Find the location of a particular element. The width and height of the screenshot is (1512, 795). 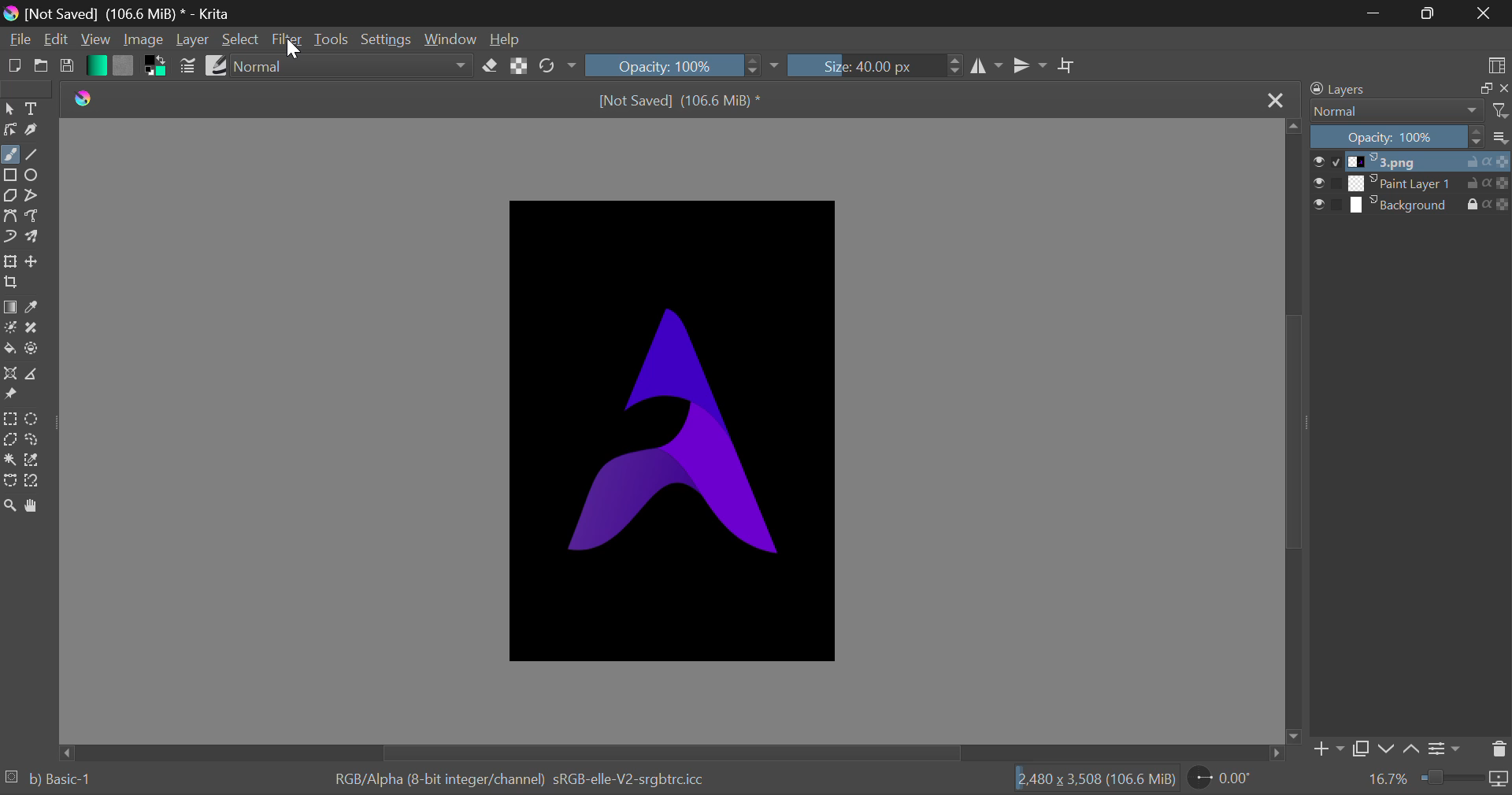

[Not Saved] (106.6 MiB) * is located at coordinates (673, 99).